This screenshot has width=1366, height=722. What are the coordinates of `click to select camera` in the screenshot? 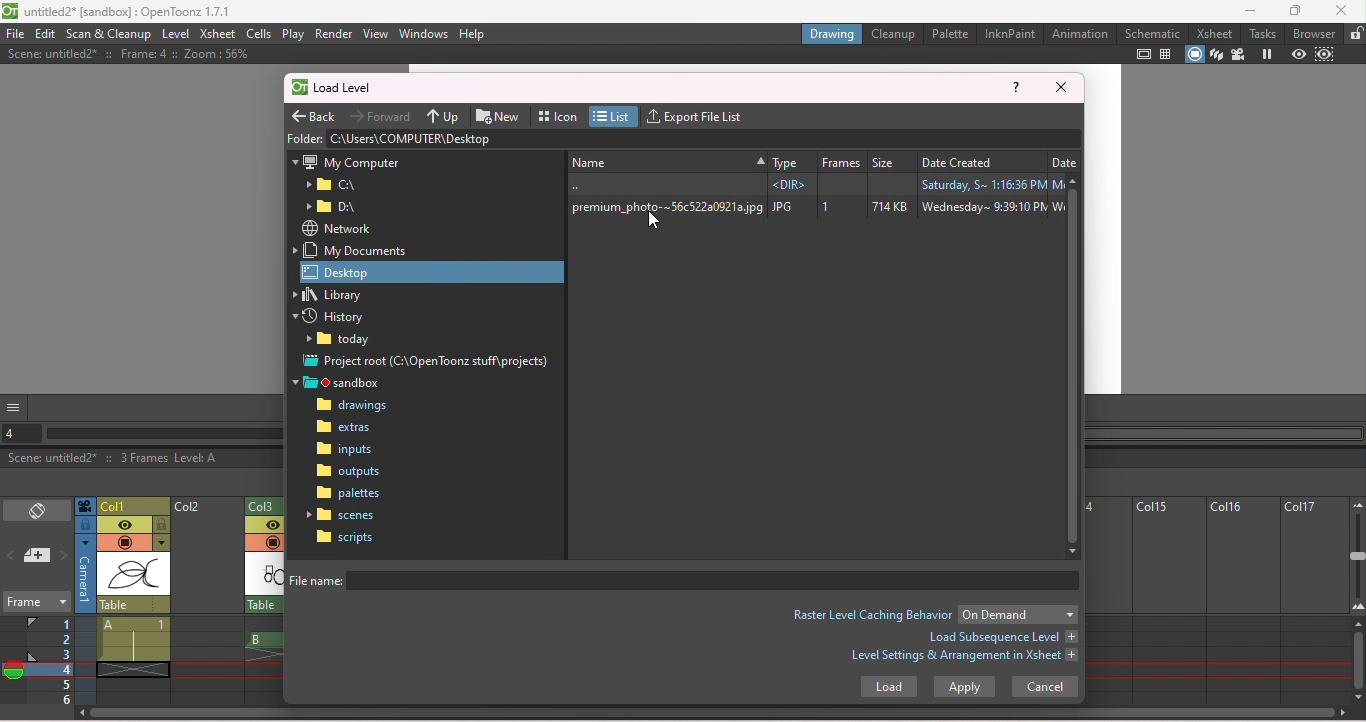 It's located at (85, 525).